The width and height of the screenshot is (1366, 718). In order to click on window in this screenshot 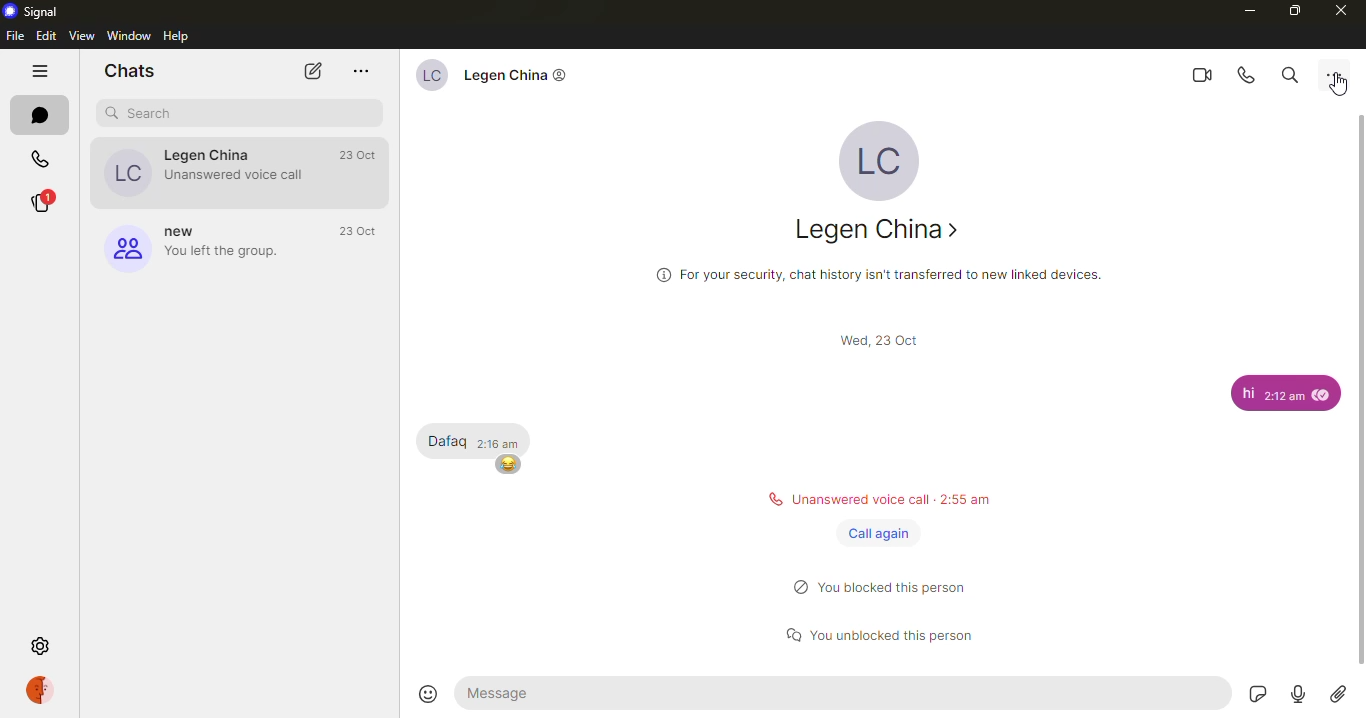, I will do `click(128, 35)`.